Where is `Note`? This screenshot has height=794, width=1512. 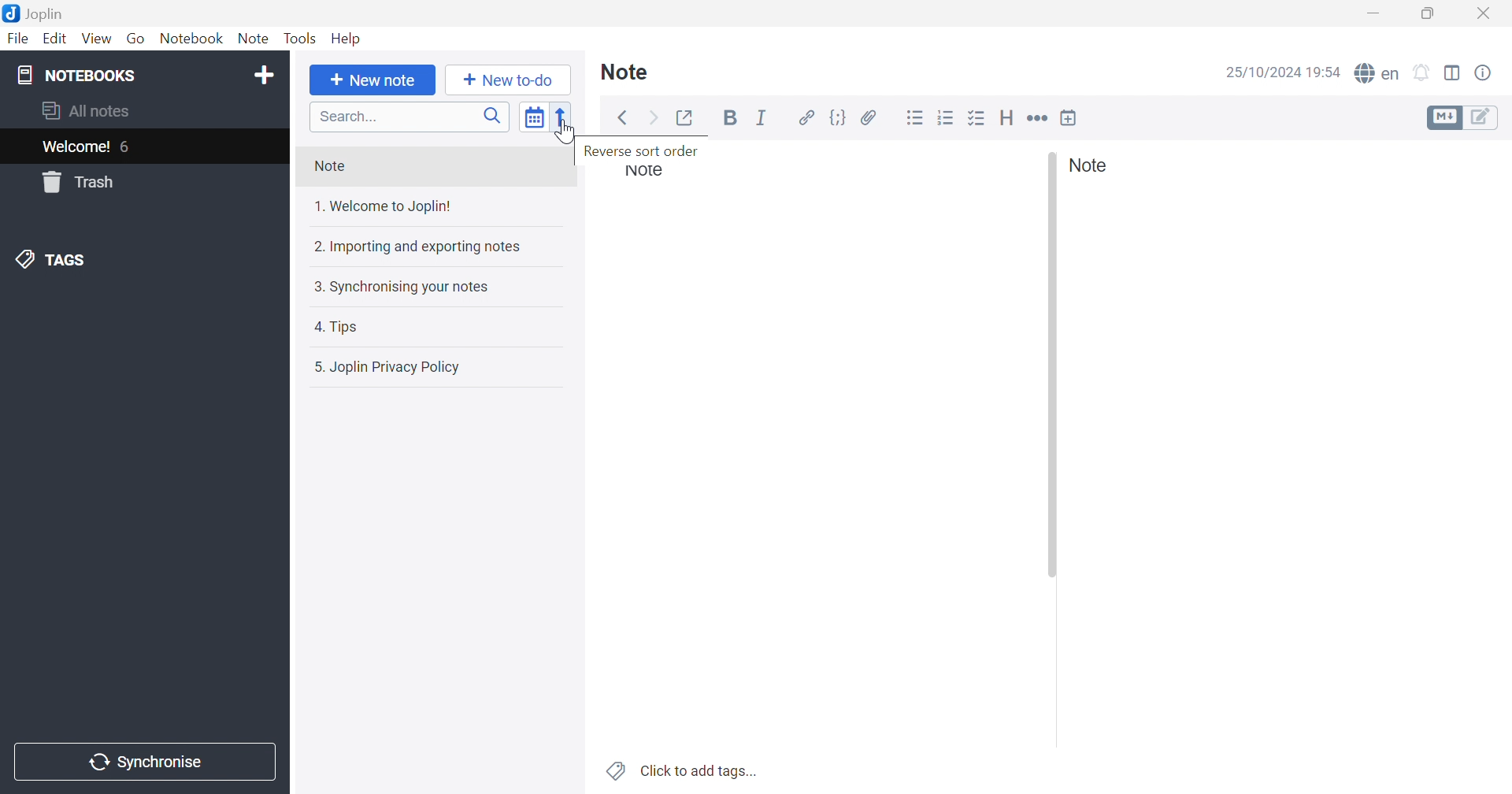 Note is located at coordinates (625, 70).